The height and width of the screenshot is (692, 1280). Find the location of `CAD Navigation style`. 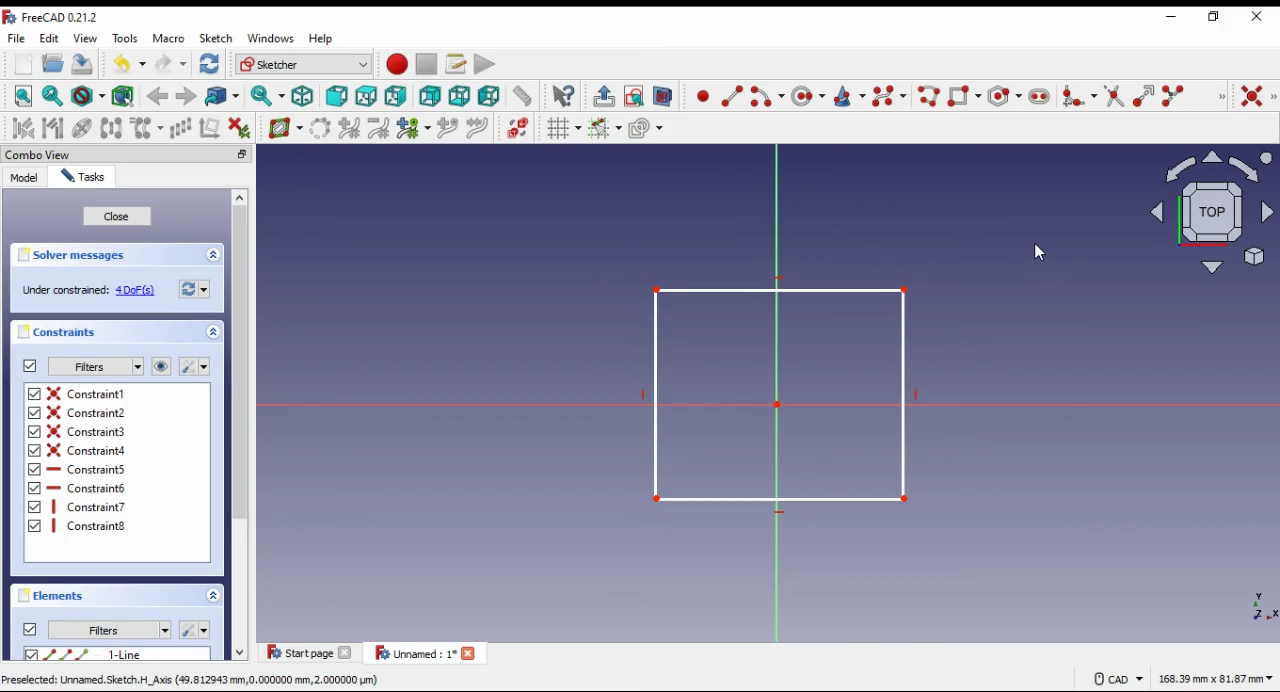

CAD Navigation style is located at coordinates (1117, 679).